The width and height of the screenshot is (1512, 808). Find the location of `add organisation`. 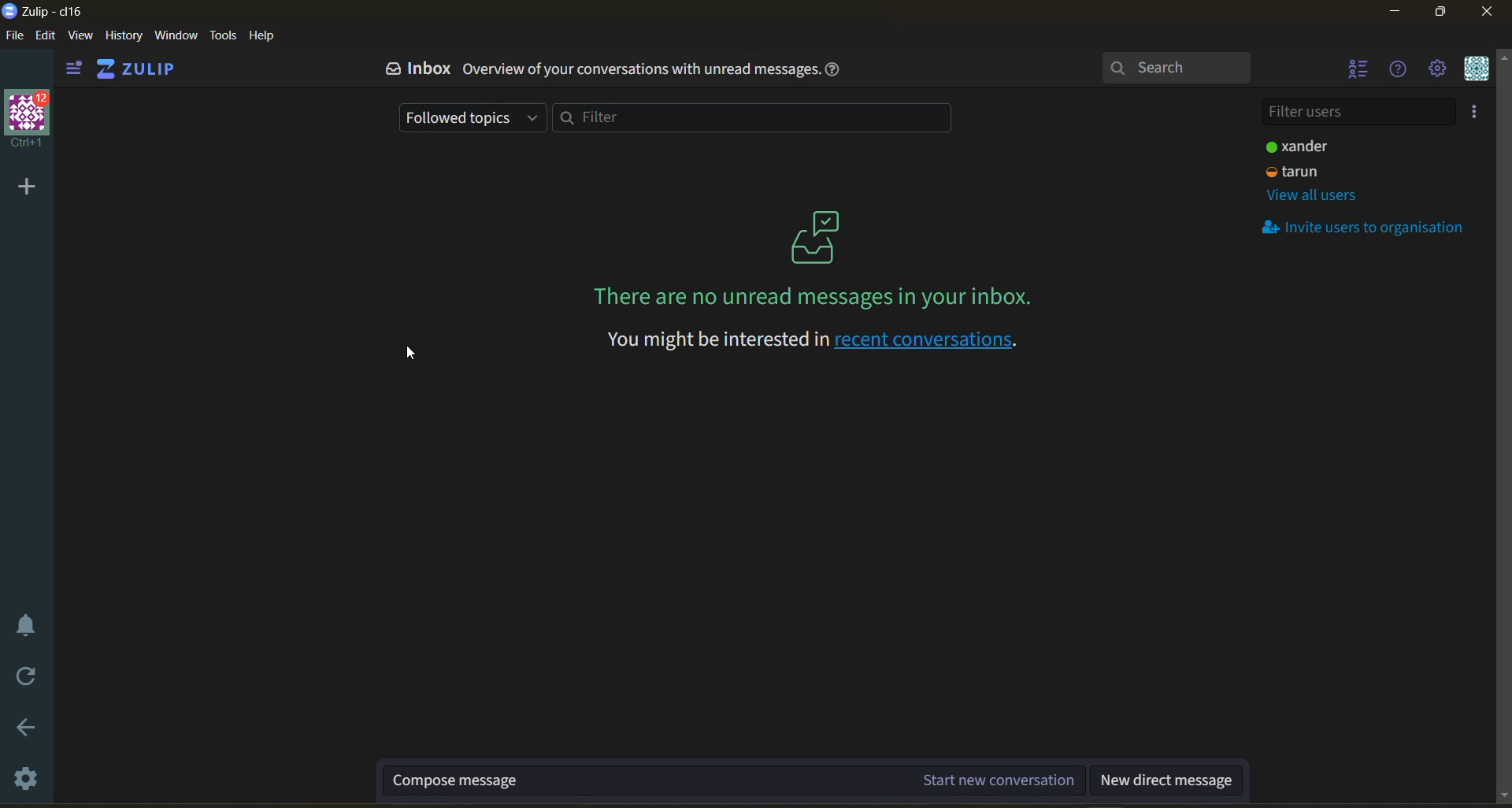

add organisation is located at coordinates (29, 187).